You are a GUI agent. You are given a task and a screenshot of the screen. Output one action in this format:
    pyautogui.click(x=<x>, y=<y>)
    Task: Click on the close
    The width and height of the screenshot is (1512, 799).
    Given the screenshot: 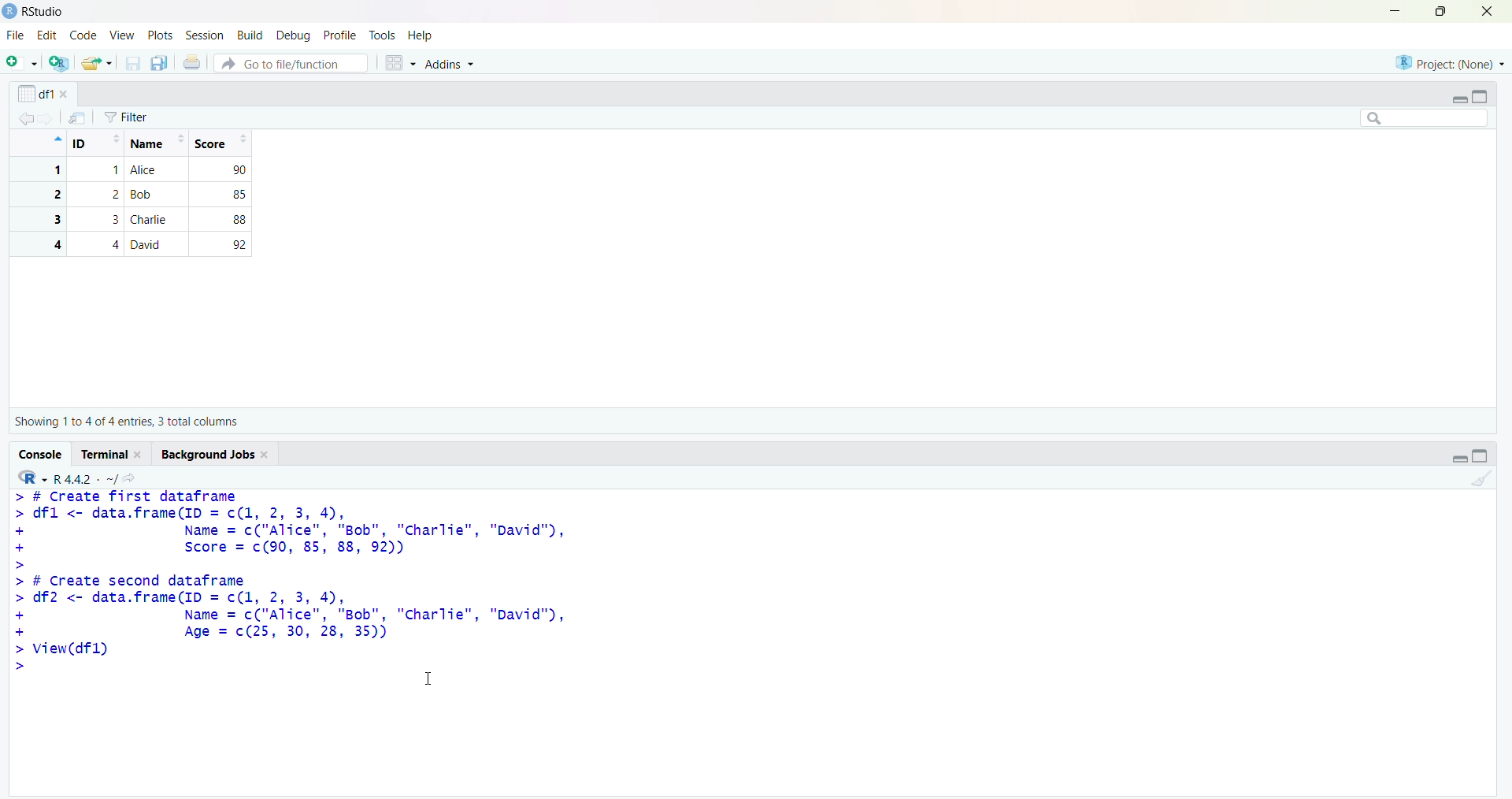 What is the action you would take?
    pyautogui.click(x=1488, y=11)
    